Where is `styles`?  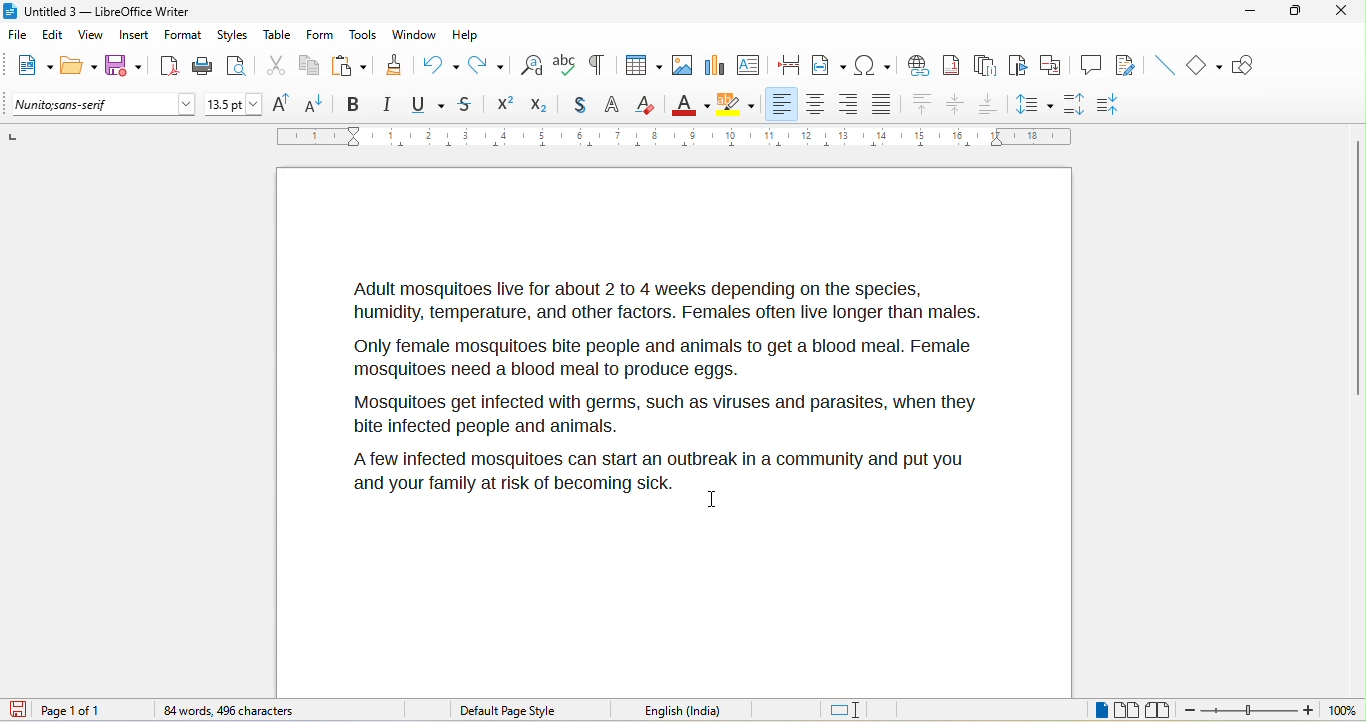 styles is located at coordinates (234, 36).